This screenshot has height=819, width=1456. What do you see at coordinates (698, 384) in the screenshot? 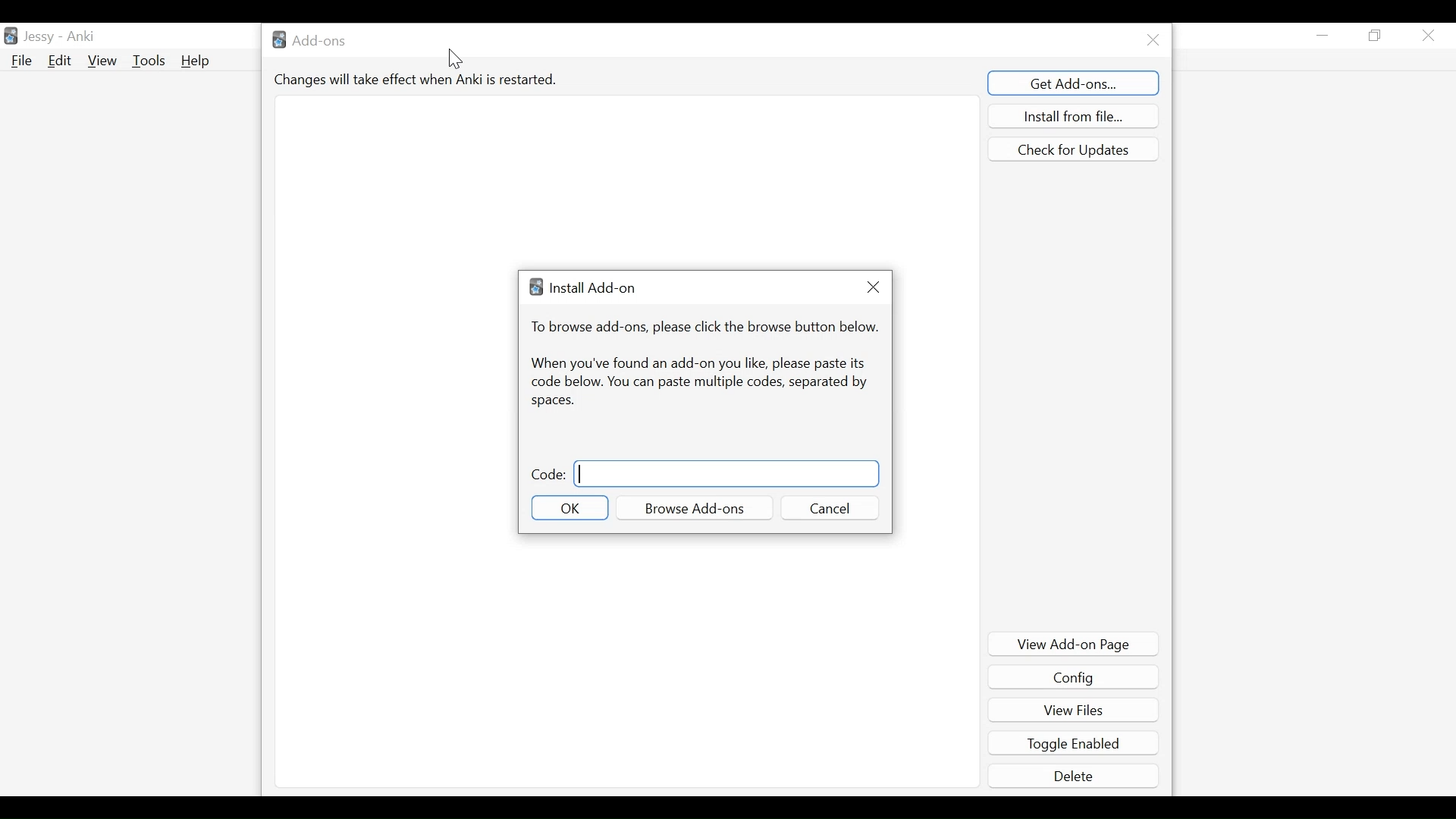
I see `code below. You can paste multiple codes, separated by` at bounding box center [698, 384].